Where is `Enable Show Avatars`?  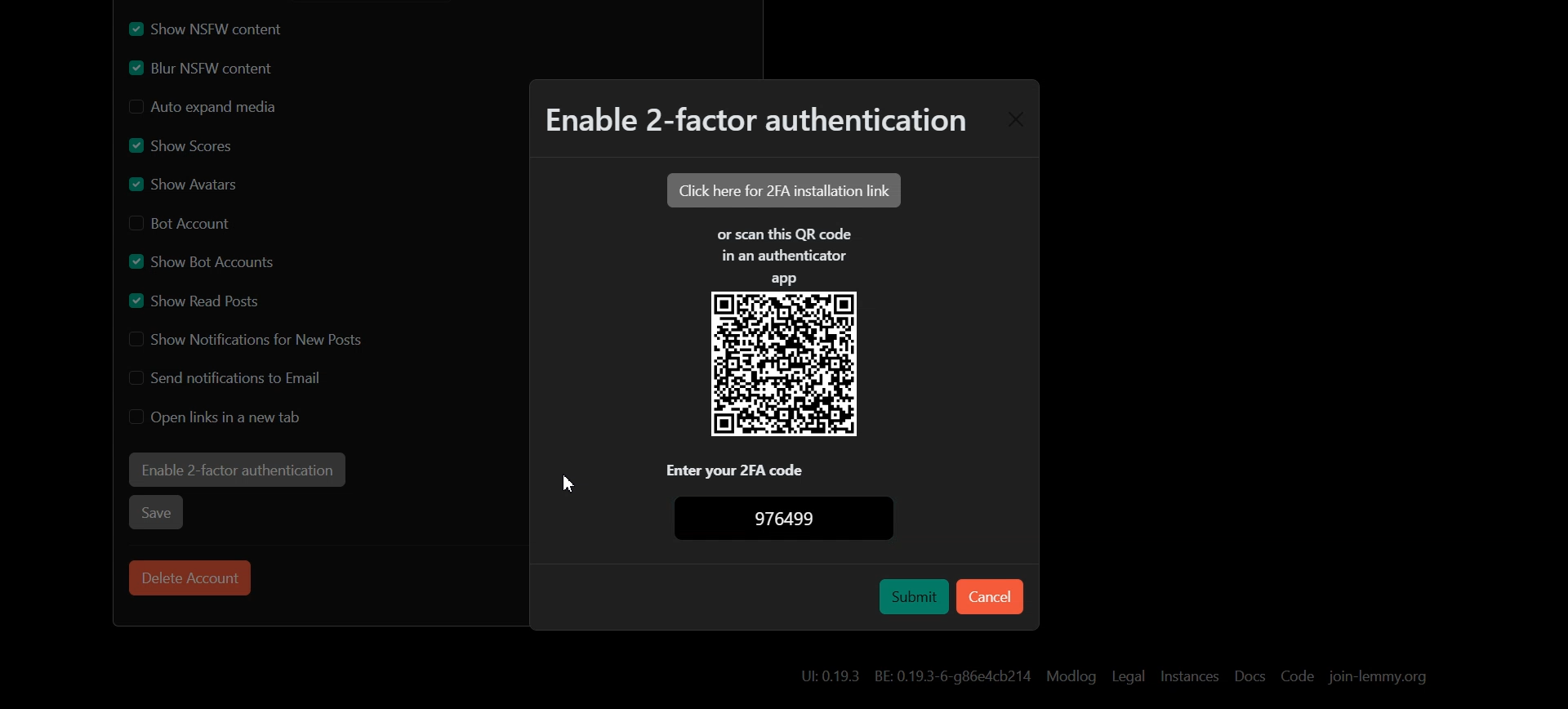
Enable Show Avatars is located at coordinates (193, 183).